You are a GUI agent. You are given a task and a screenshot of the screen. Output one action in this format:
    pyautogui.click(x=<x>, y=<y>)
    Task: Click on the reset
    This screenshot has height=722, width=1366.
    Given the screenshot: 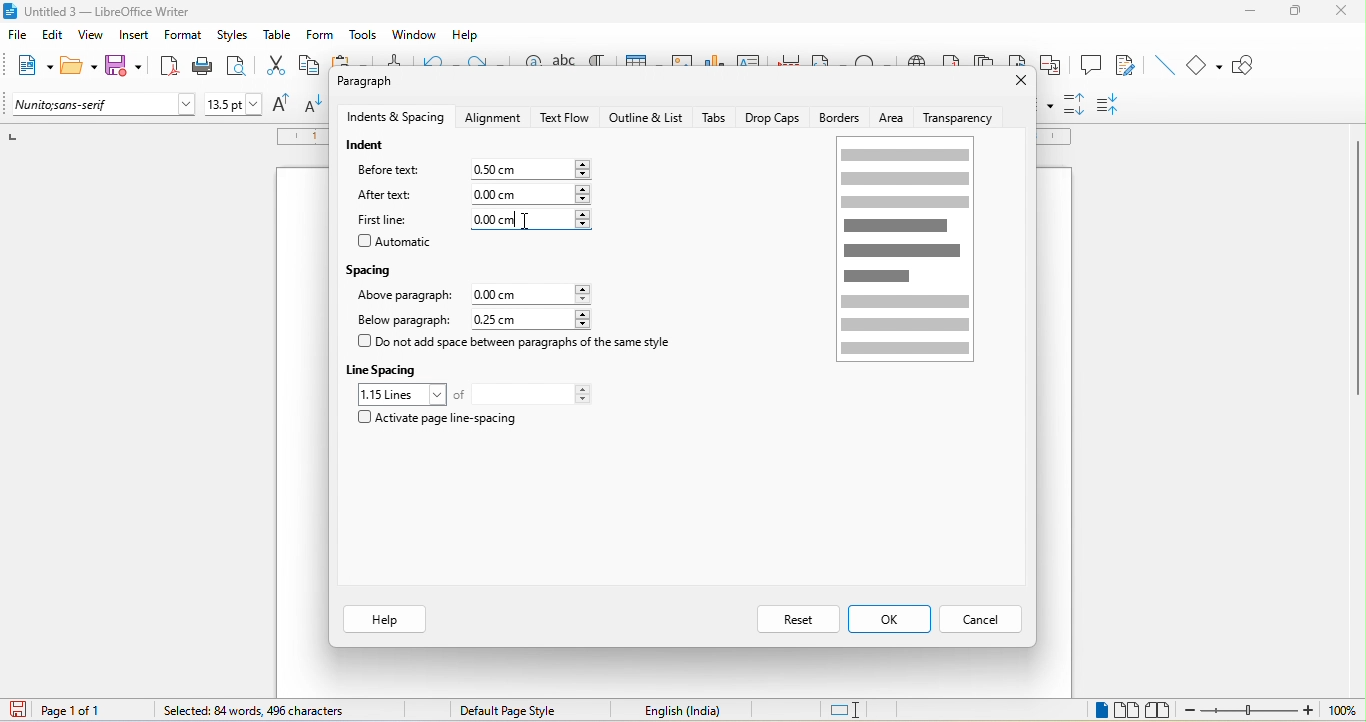 What is the action you would take?
    pyautogui.click(x=800, y=620)
    